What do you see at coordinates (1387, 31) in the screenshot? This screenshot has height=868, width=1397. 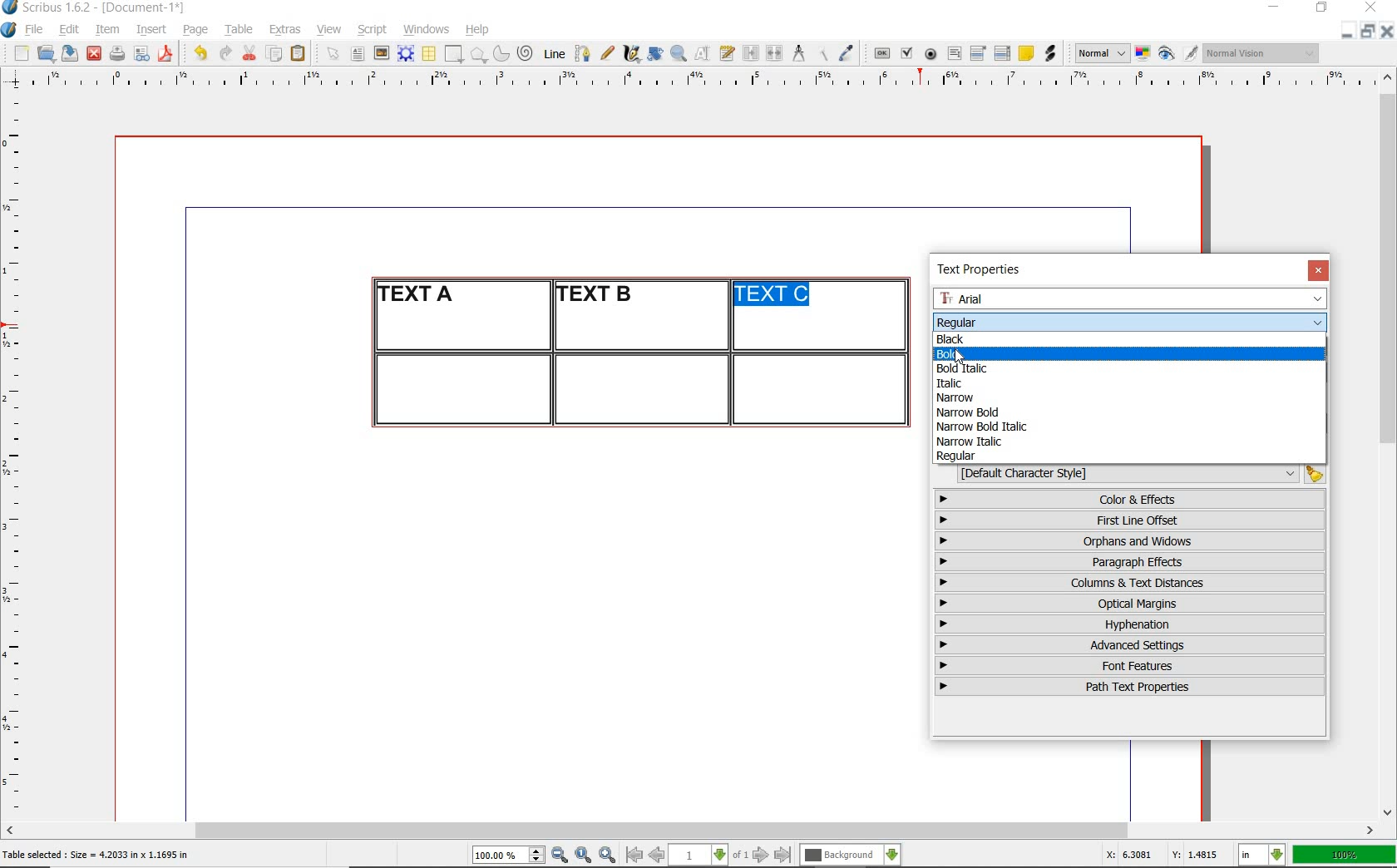 I see `close` at bounding box center [1387, 31].